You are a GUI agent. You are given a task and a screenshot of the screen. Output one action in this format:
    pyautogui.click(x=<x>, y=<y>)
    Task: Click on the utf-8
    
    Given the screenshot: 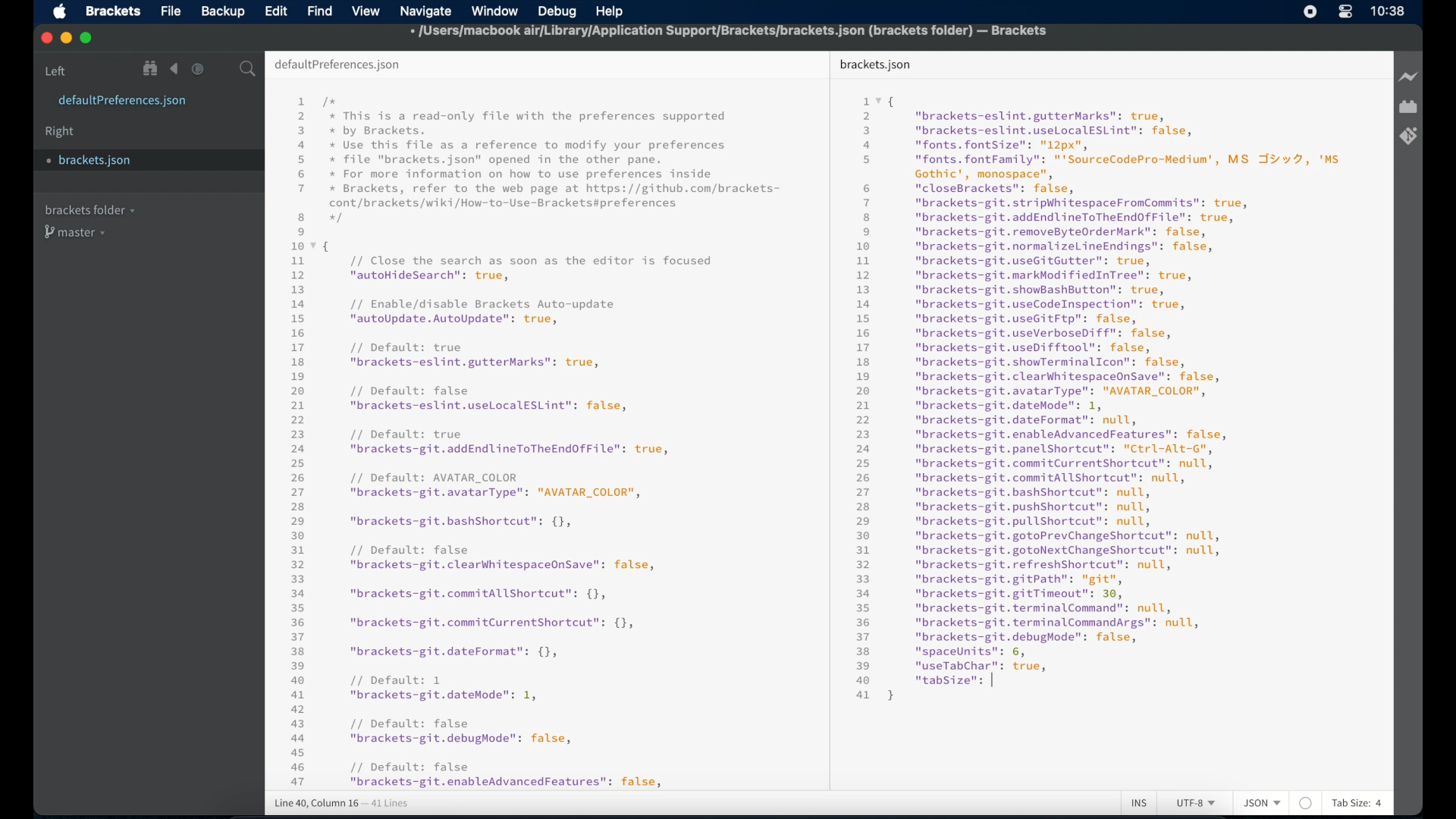 What is the action you would take?
    pyautogui.click(x=1197, y=803)
    